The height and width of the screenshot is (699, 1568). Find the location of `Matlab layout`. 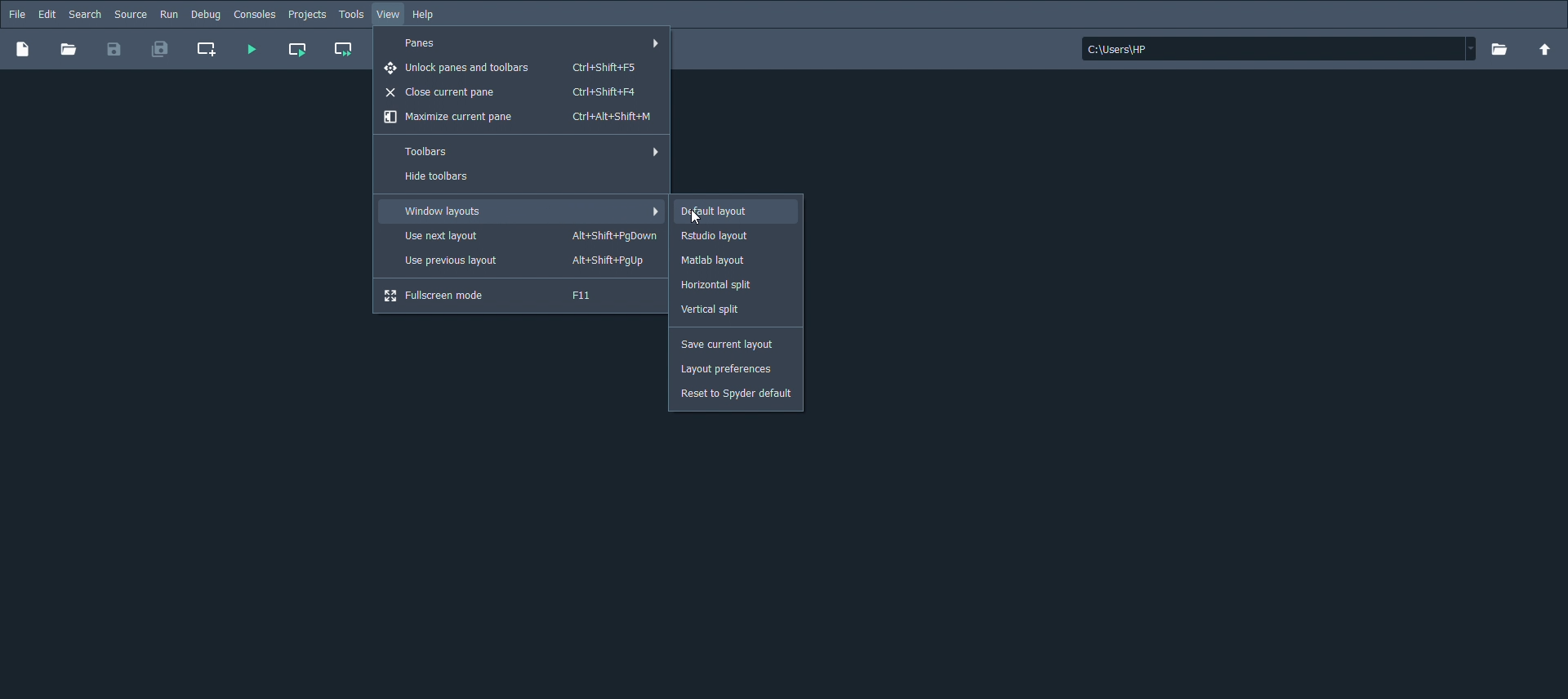

Matlab layout is located at coordinates (715, 260).